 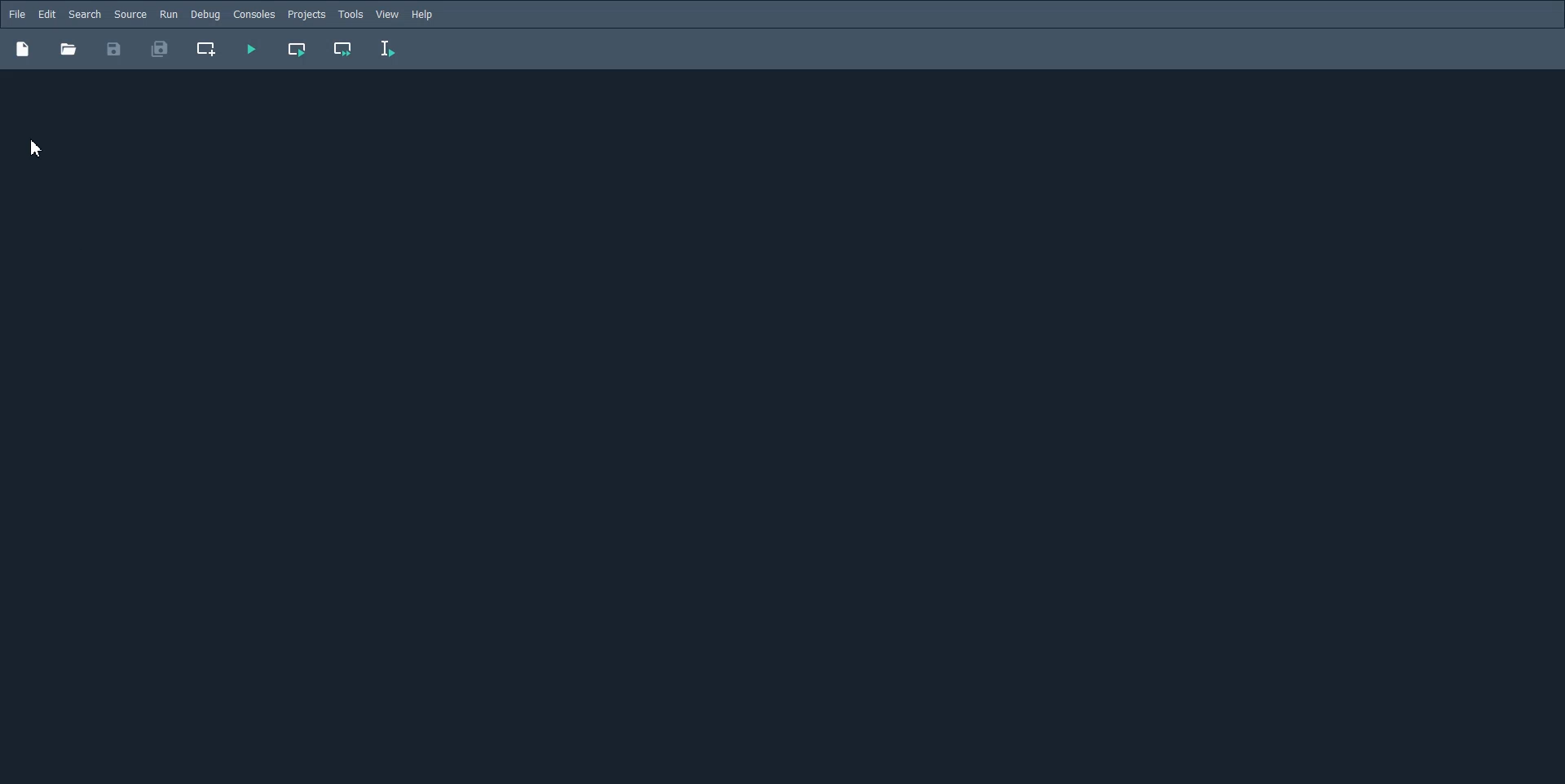 I want to click on New file, so click(x=22, y=48).